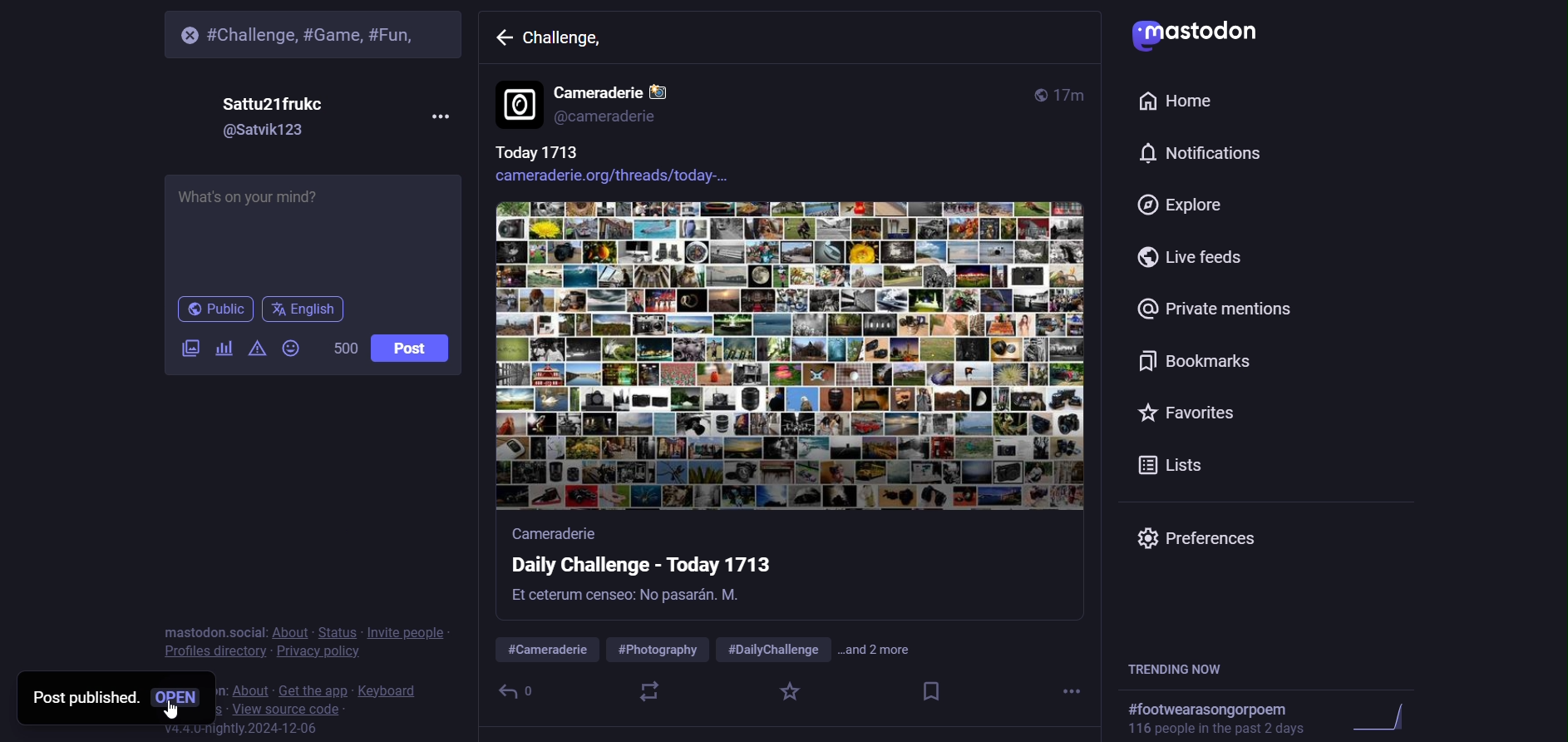 The image size is (1568, 742). I want to click on privacy policy, so click(317, 650).